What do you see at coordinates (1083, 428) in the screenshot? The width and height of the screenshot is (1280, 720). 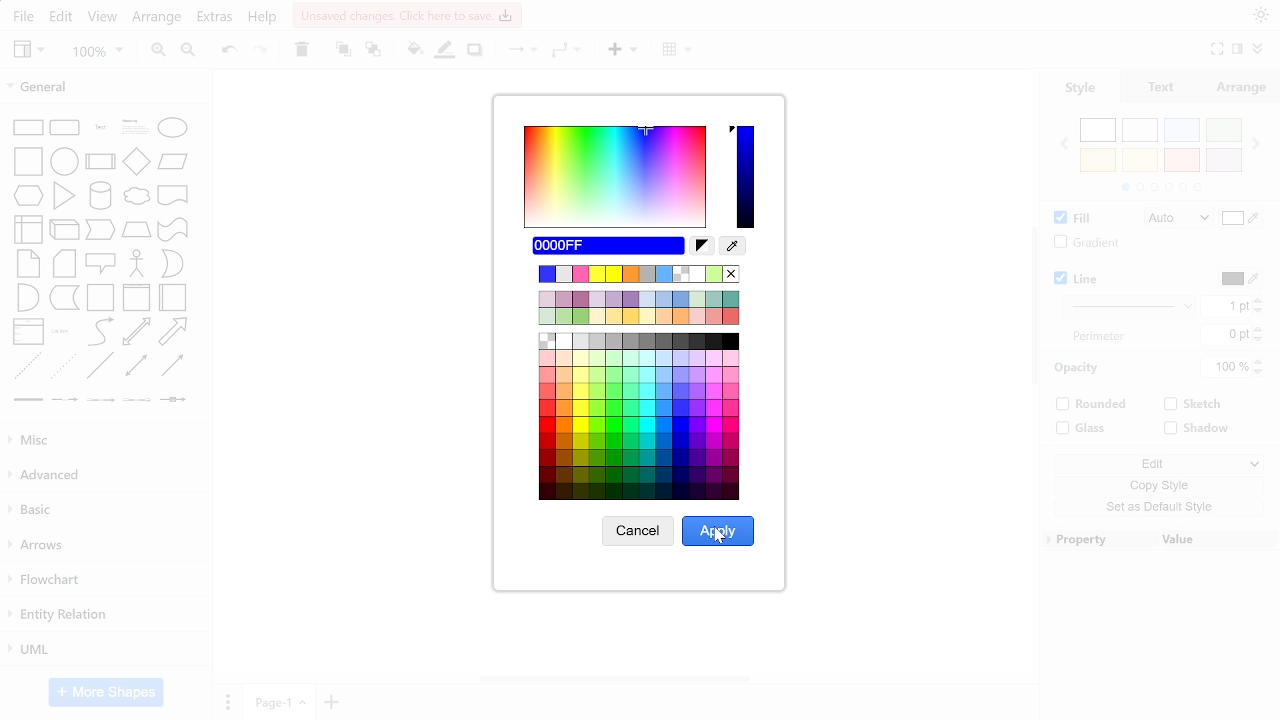 I see `glass` at bounding box center [1083, 428].